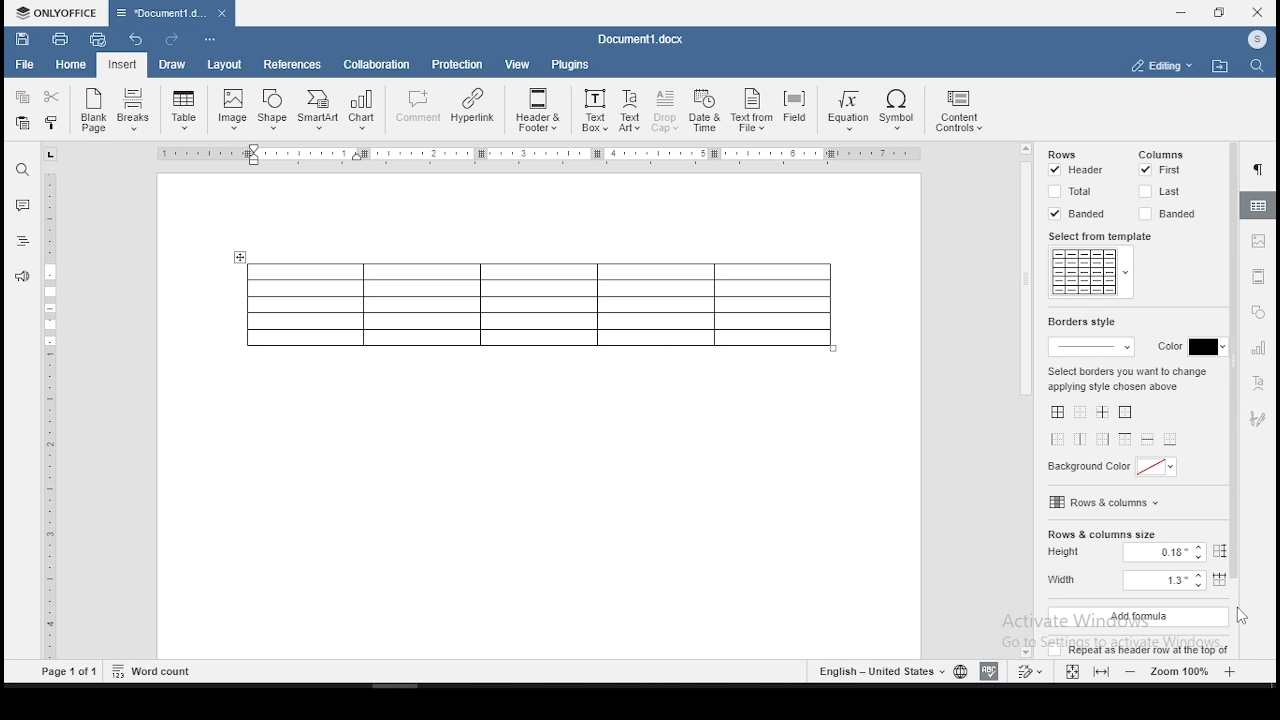  Describe the element at coordinates (1080, 440) in the screenshot. I see `vertical inner lines only` at that location.